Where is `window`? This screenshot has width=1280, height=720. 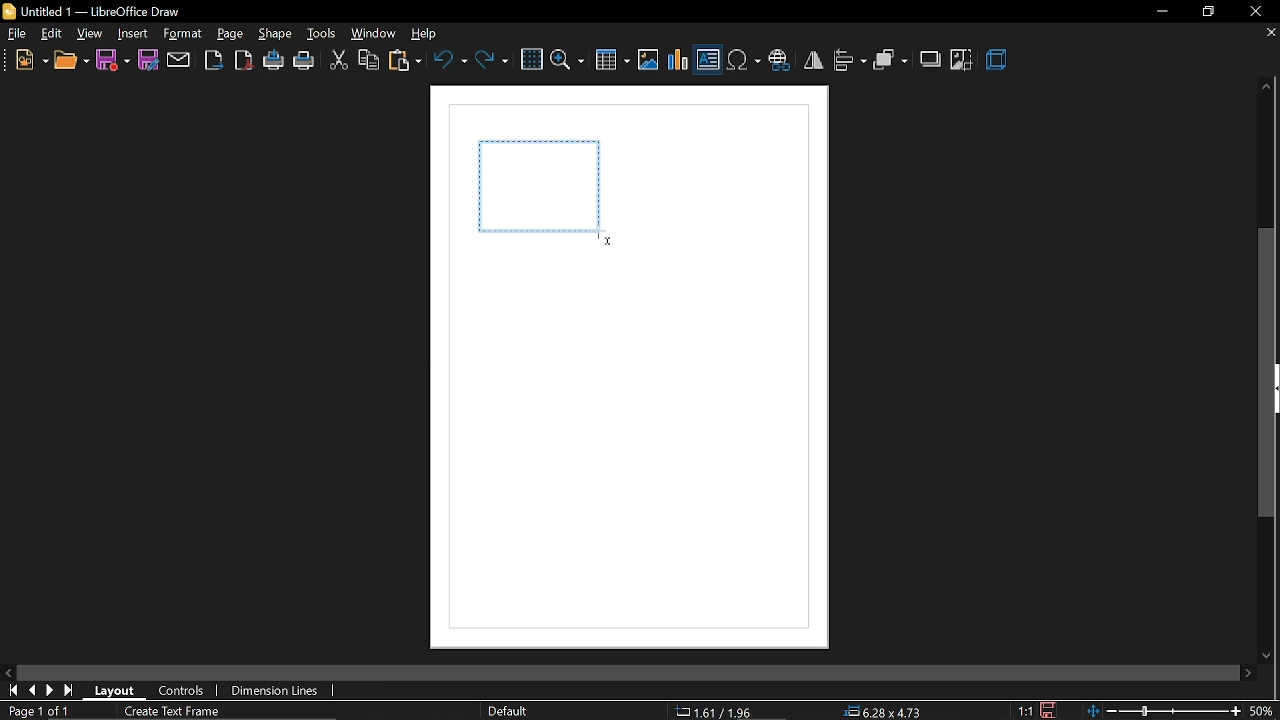
window is located at coordinates (374, 34).